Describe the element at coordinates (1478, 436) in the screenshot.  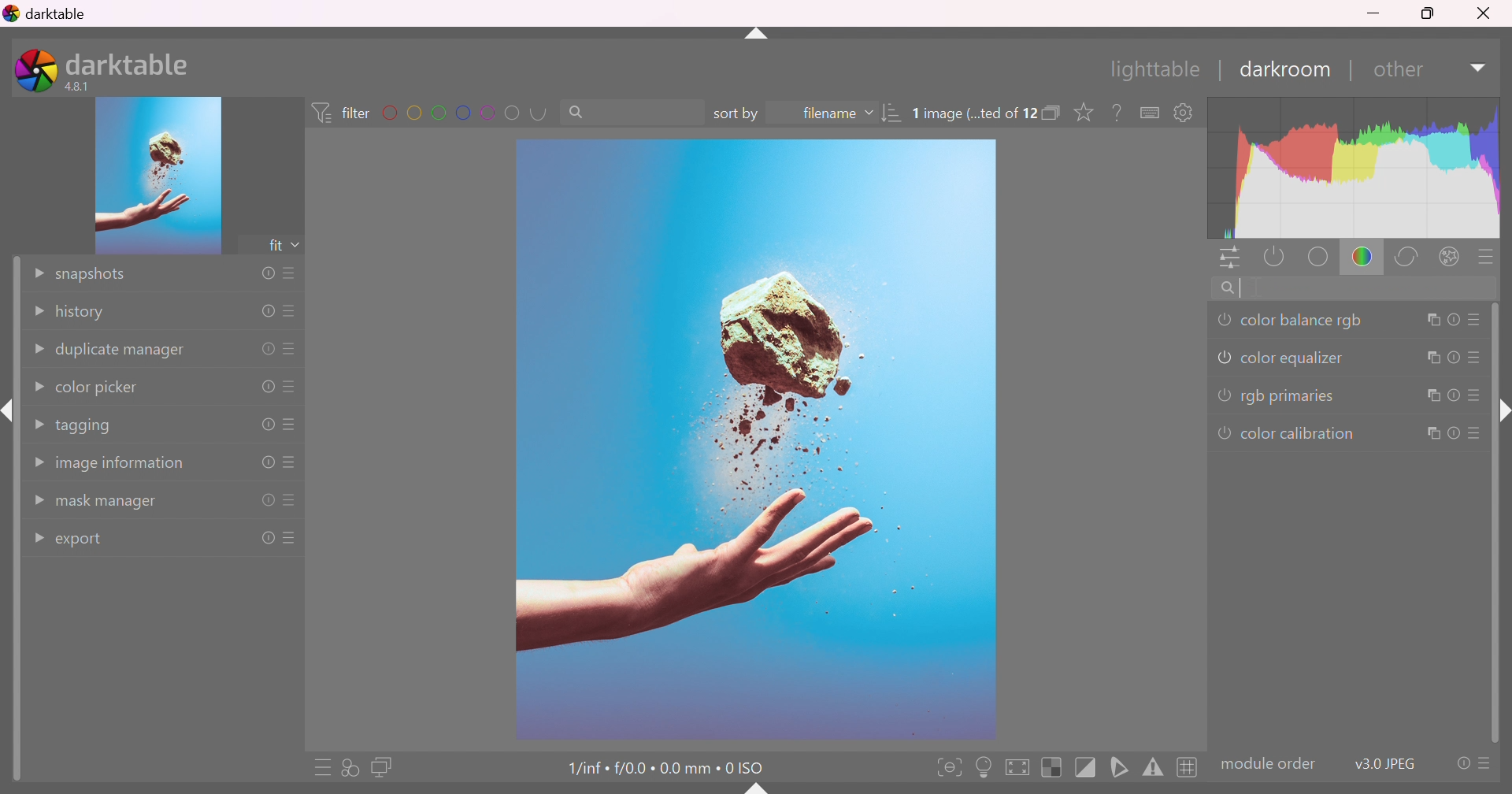
I see `presets` at that location.